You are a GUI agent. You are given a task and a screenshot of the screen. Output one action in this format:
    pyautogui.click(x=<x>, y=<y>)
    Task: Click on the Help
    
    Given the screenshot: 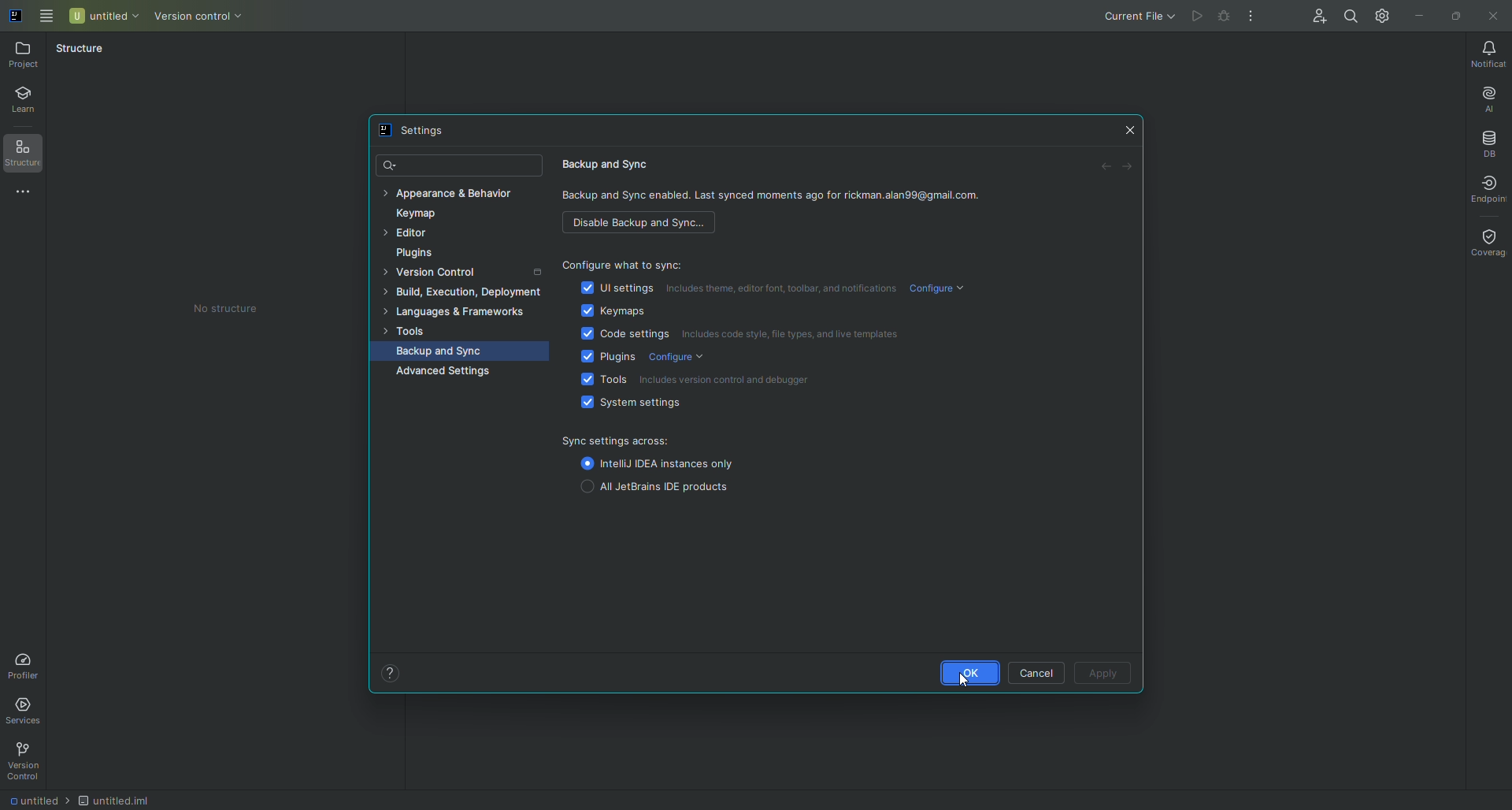 What is the action you would take?
    pyautogui.click(x=390, y=672)
    